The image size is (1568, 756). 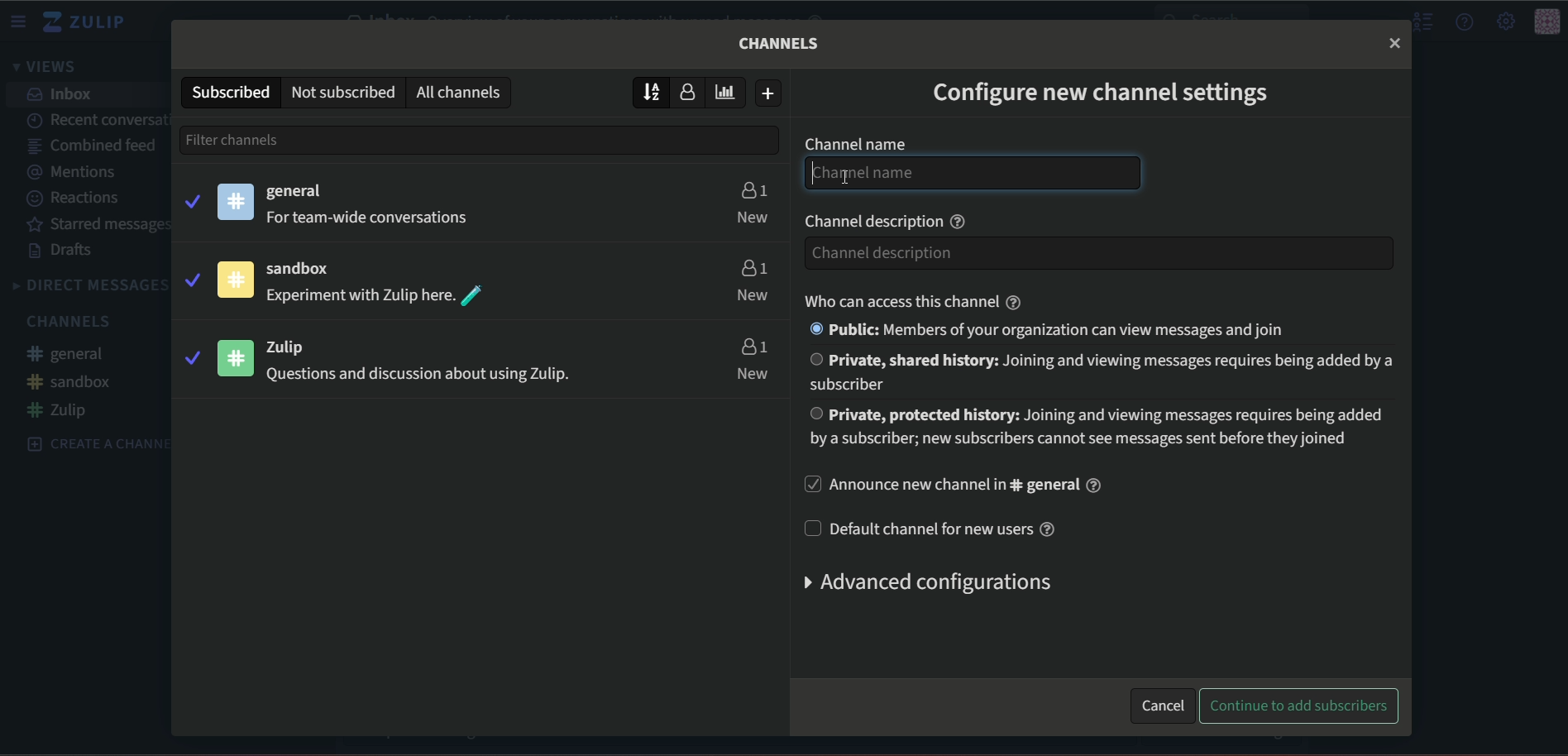 I want to click on text Cursor, so click(x=840, y=175).